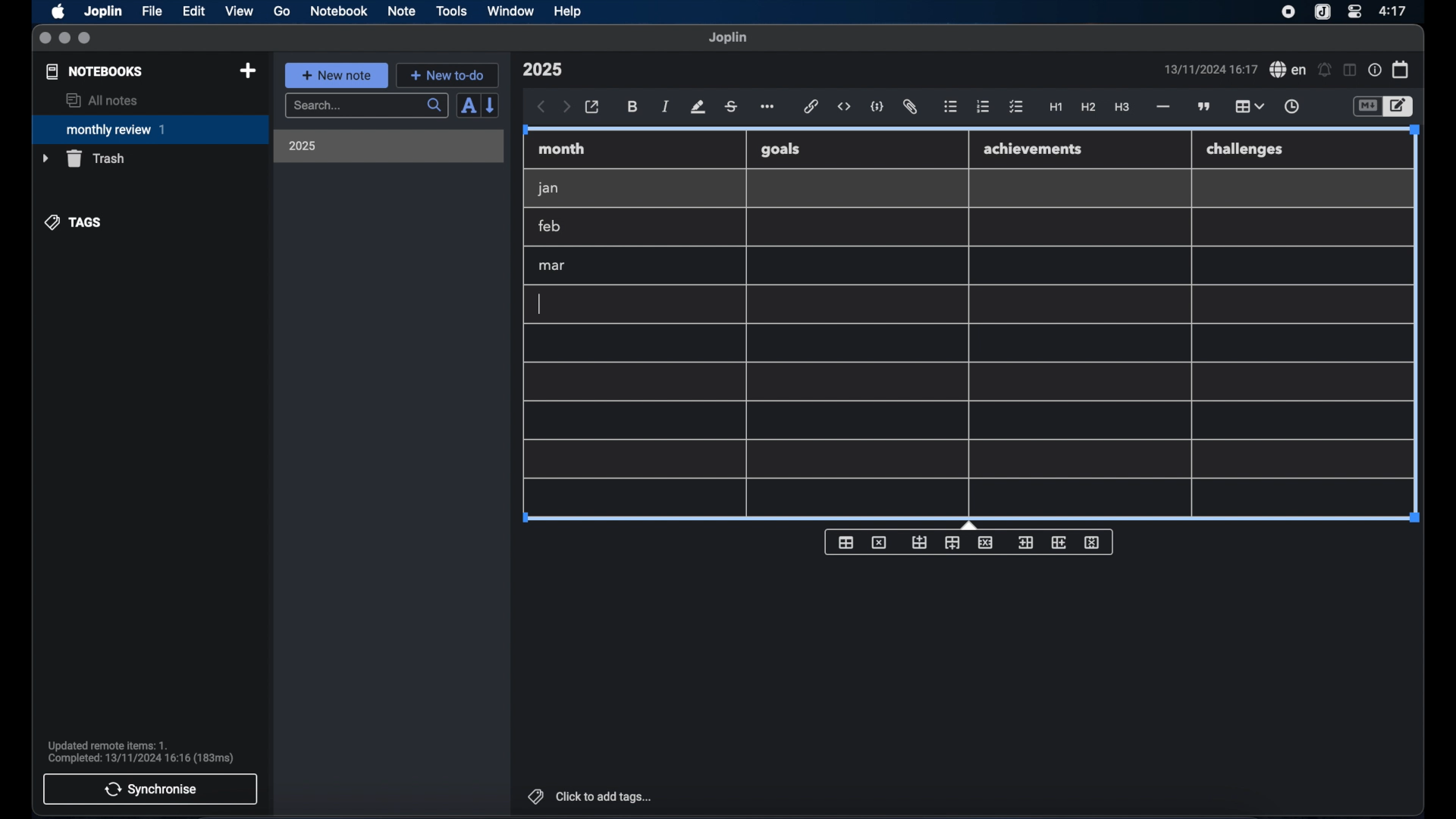 The image size is (1456, 819). What do you see at coordinates (877, 108) in the screenshot?
I see `code` at bounding box center [877, 108].